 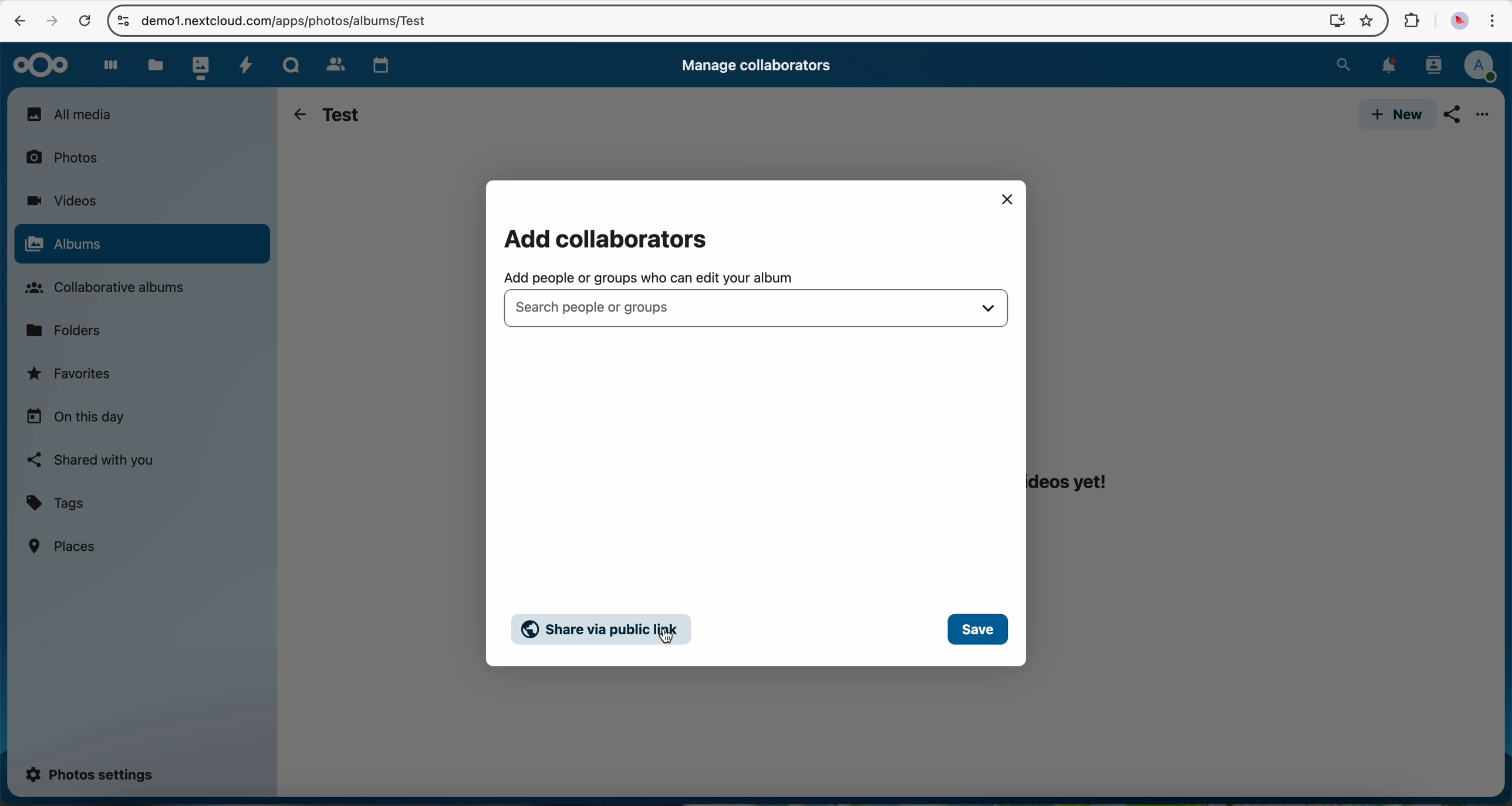 I want to click on cursor, so click(x=667, y=639).